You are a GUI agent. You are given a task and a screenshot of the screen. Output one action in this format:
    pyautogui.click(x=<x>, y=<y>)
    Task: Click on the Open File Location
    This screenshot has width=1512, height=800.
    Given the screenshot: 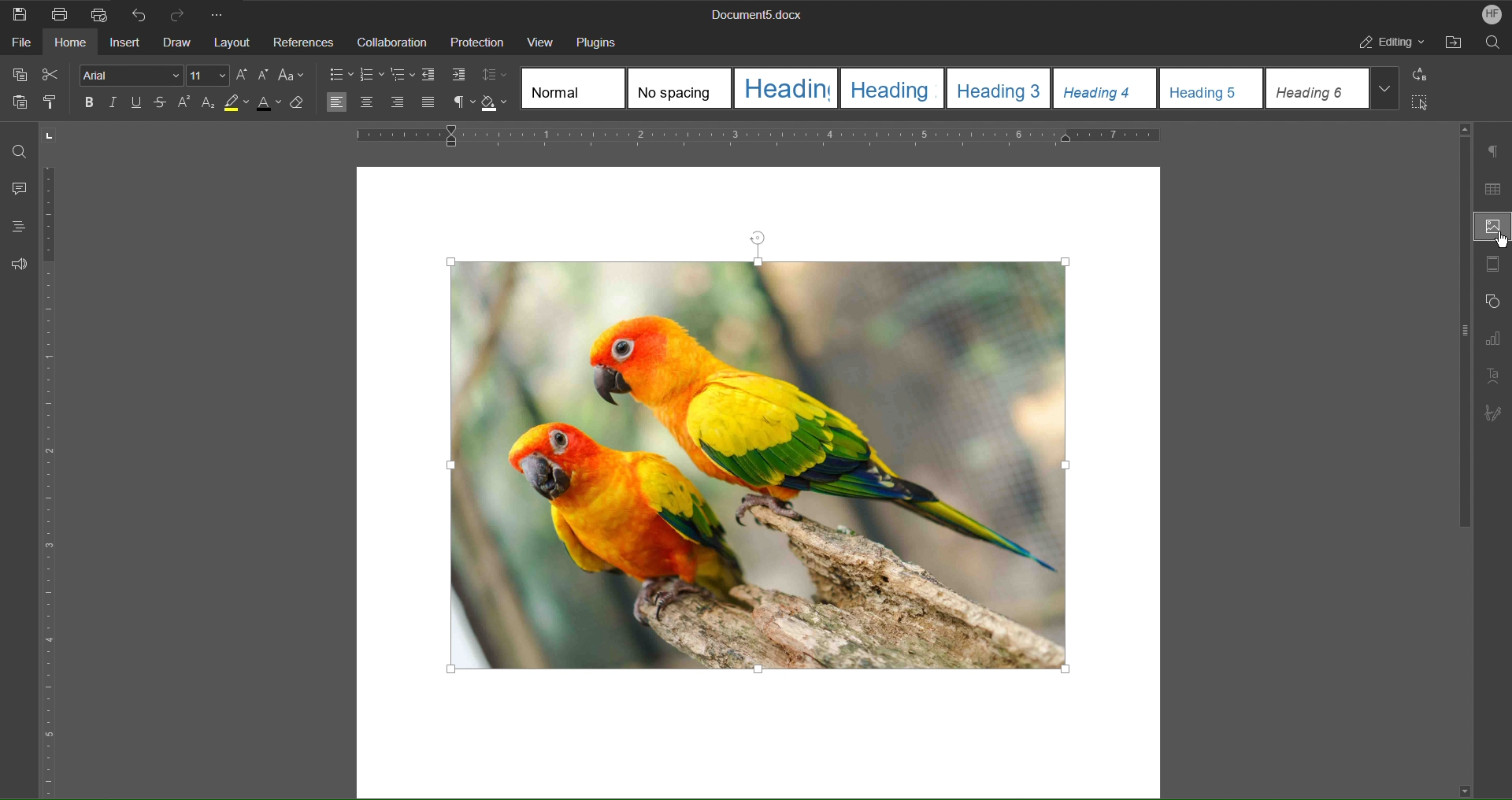 What is the action you would take?
    pyautogui.click(x=1456, y=45)
    